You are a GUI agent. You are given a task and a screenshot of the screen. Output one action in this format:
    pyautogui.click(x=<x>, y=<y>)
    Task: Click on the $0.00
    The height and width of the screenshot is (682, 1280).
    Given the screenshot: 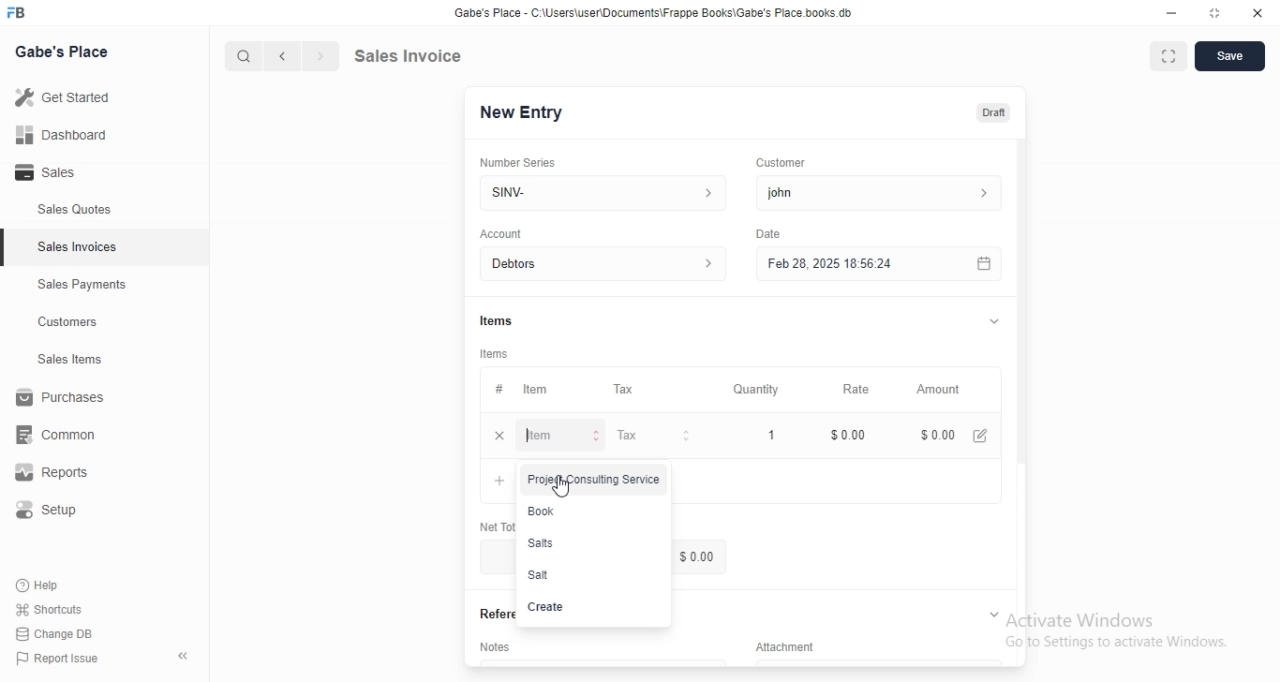 What is the action you would take?
    pyautogui.click(x=698, y=558)
    